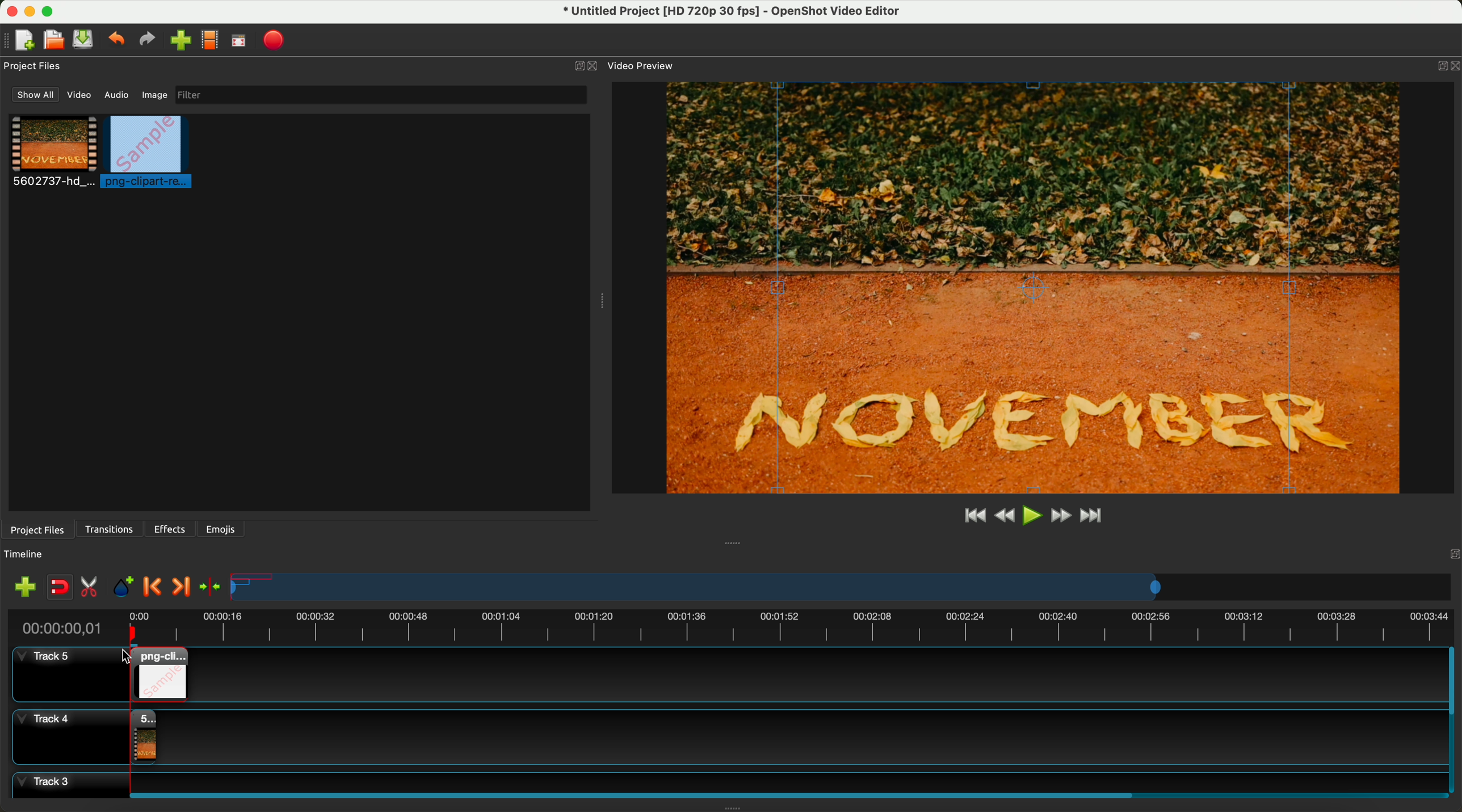 The height and width of the screenshot is (812, 1462). I want to click on scroll bar, so click(783, 793).